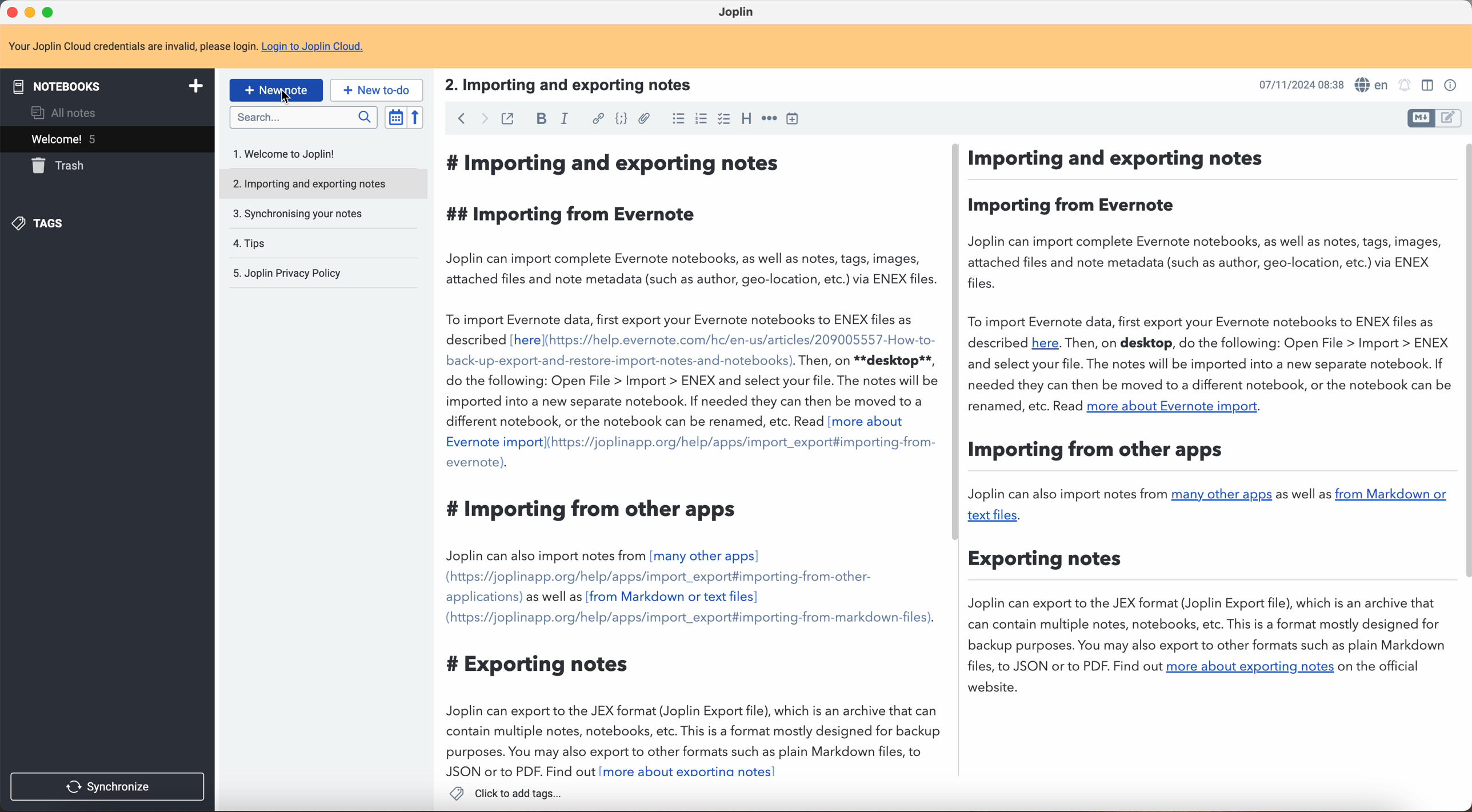 The width and height of the screenshot is (1472, 812). Describe the element at coordinates (107, 85) in the screenshot. I see `notebooks` at that location.